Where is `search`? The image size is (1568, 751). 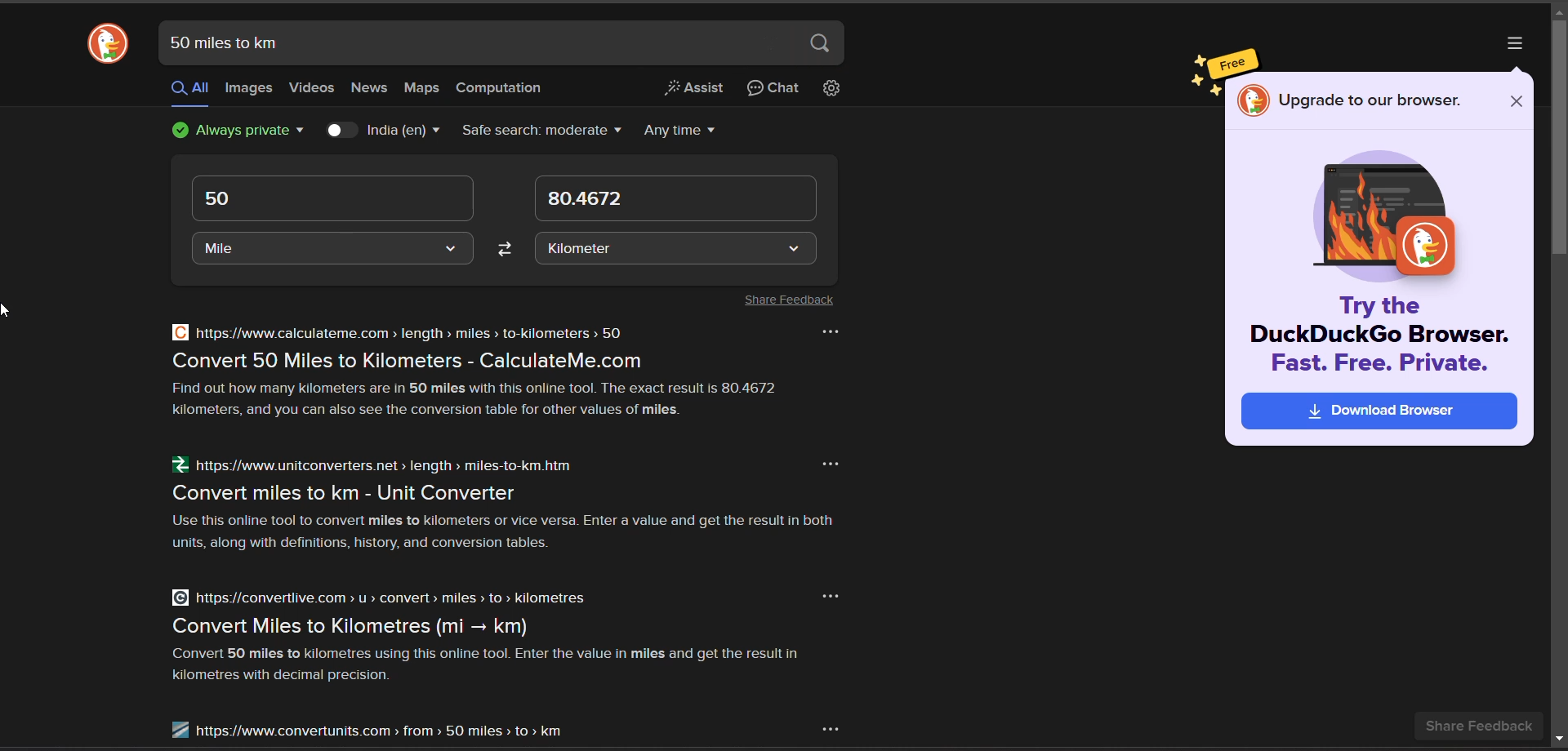 search is located at coordinates (817, 46).